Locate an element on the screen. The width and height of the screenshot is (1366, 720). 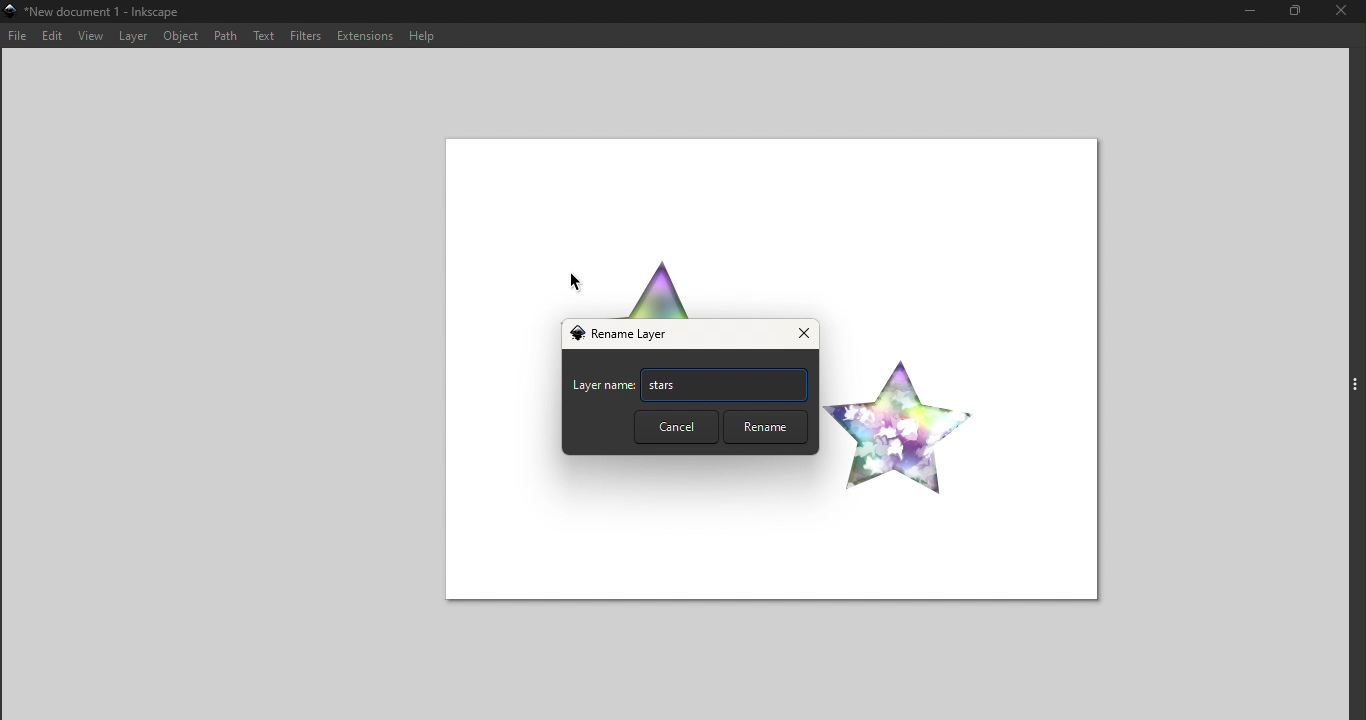
text is located at coordinates (265, 35).